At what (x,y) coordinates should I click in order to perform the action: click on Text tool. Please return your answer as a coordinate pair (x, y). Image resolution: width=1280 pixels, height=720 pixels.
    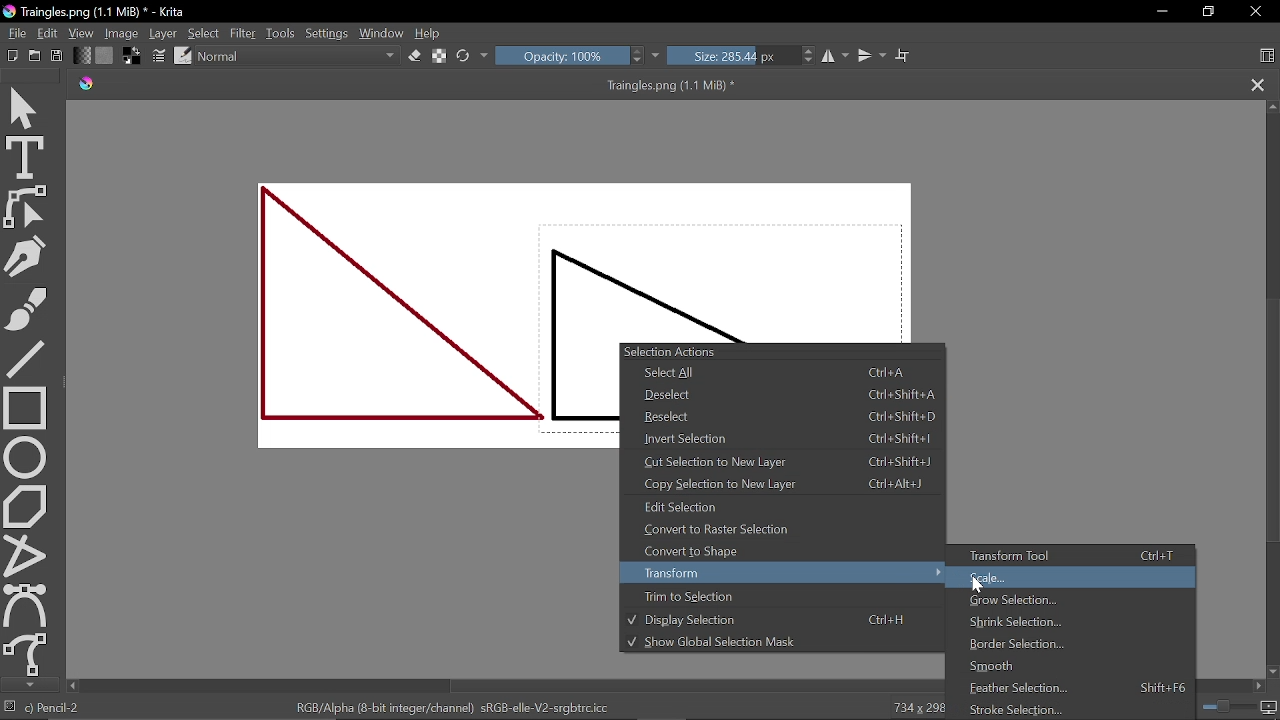
    Looking at the image, I should click on (26, 157).